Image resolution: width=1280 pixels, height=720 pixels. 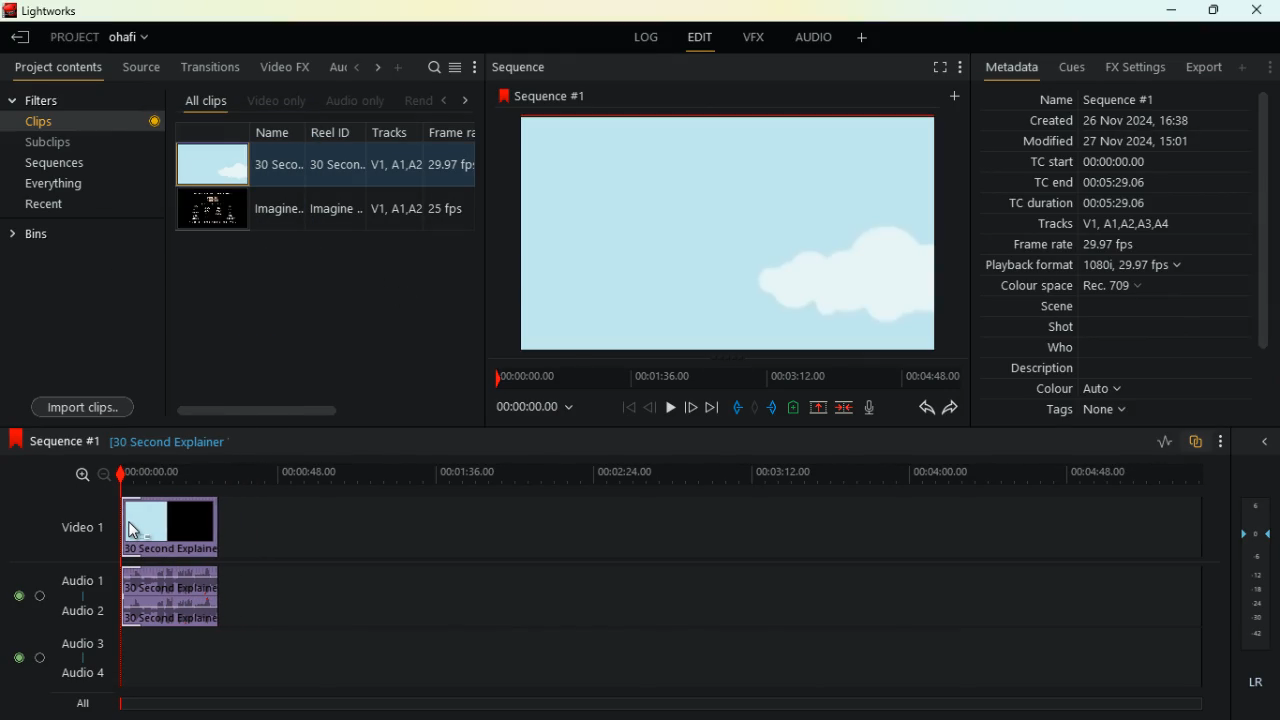 What do you see at coordinates (648, 407) in the screenshot?
I see `back` at bounding box center [648, 407].